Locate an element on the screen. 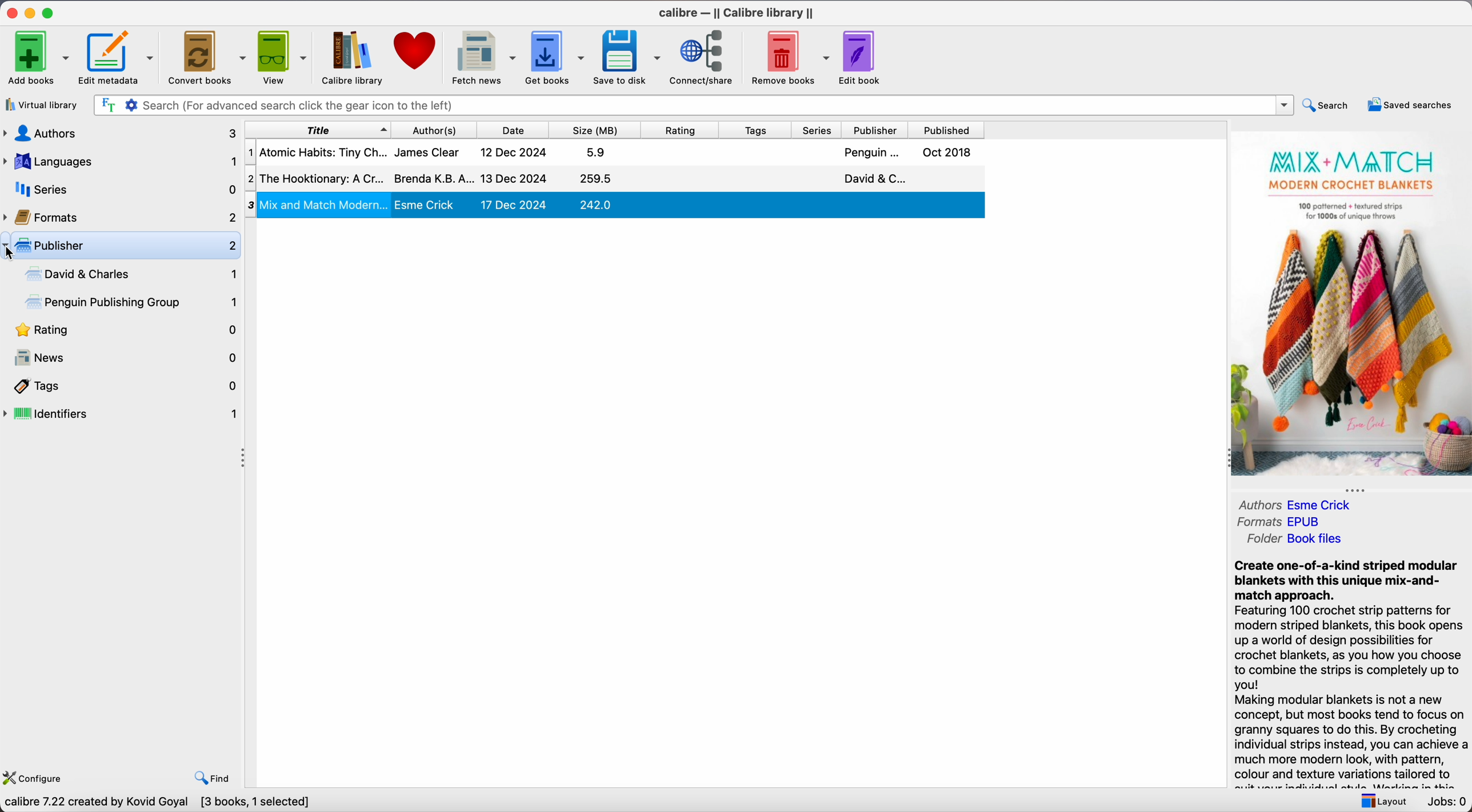 Image resolution: width=1472 pixels, height=812 pixels. find is located at coordinates (214, 777).